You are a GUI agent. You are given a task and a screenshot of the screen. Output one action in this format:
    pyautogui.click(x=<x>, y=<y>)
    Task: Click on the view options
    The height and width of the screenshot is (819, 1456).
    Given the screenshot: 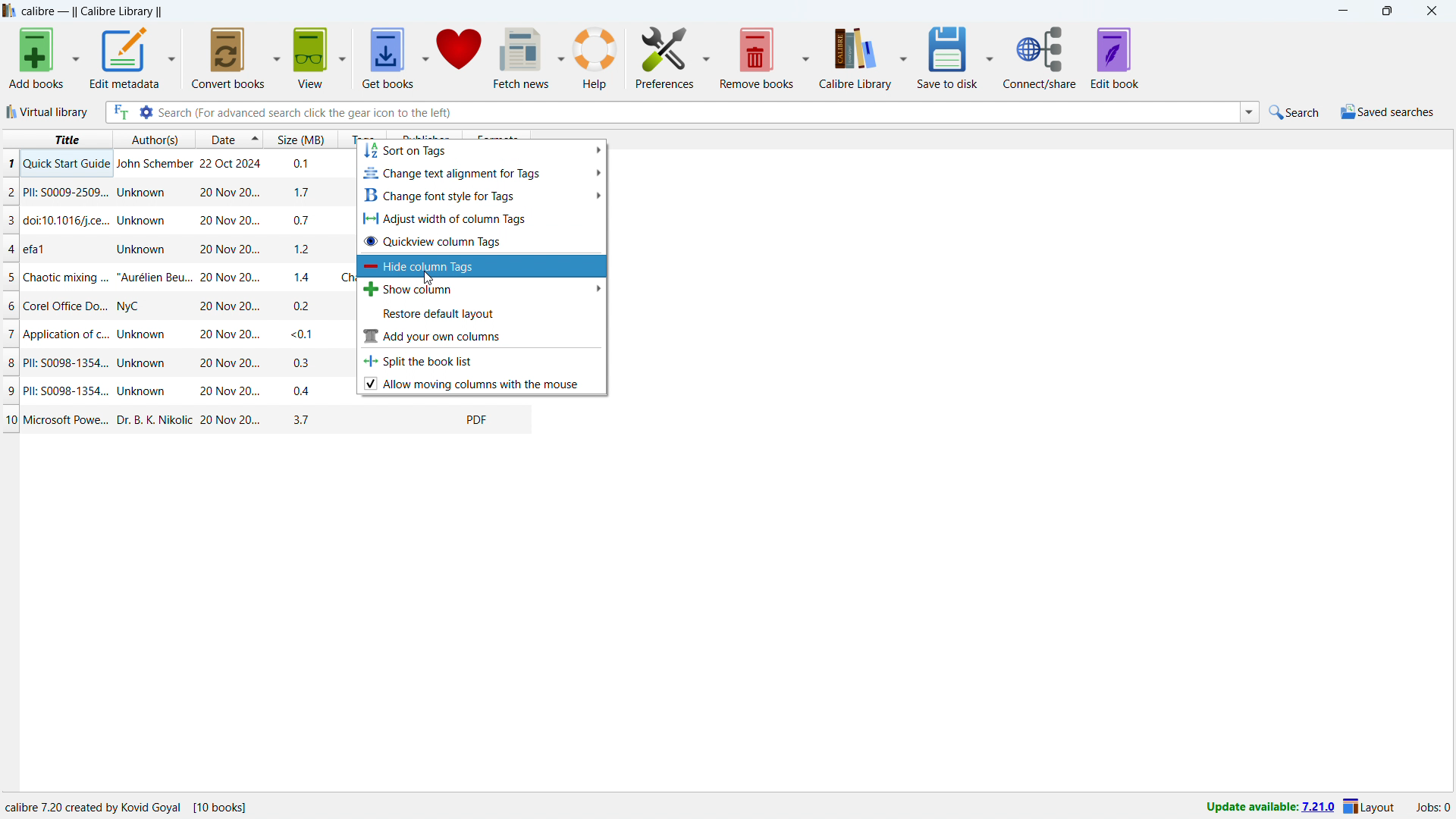 What is the action you would take?
    pyautogui.click(x=344, y=55)
    